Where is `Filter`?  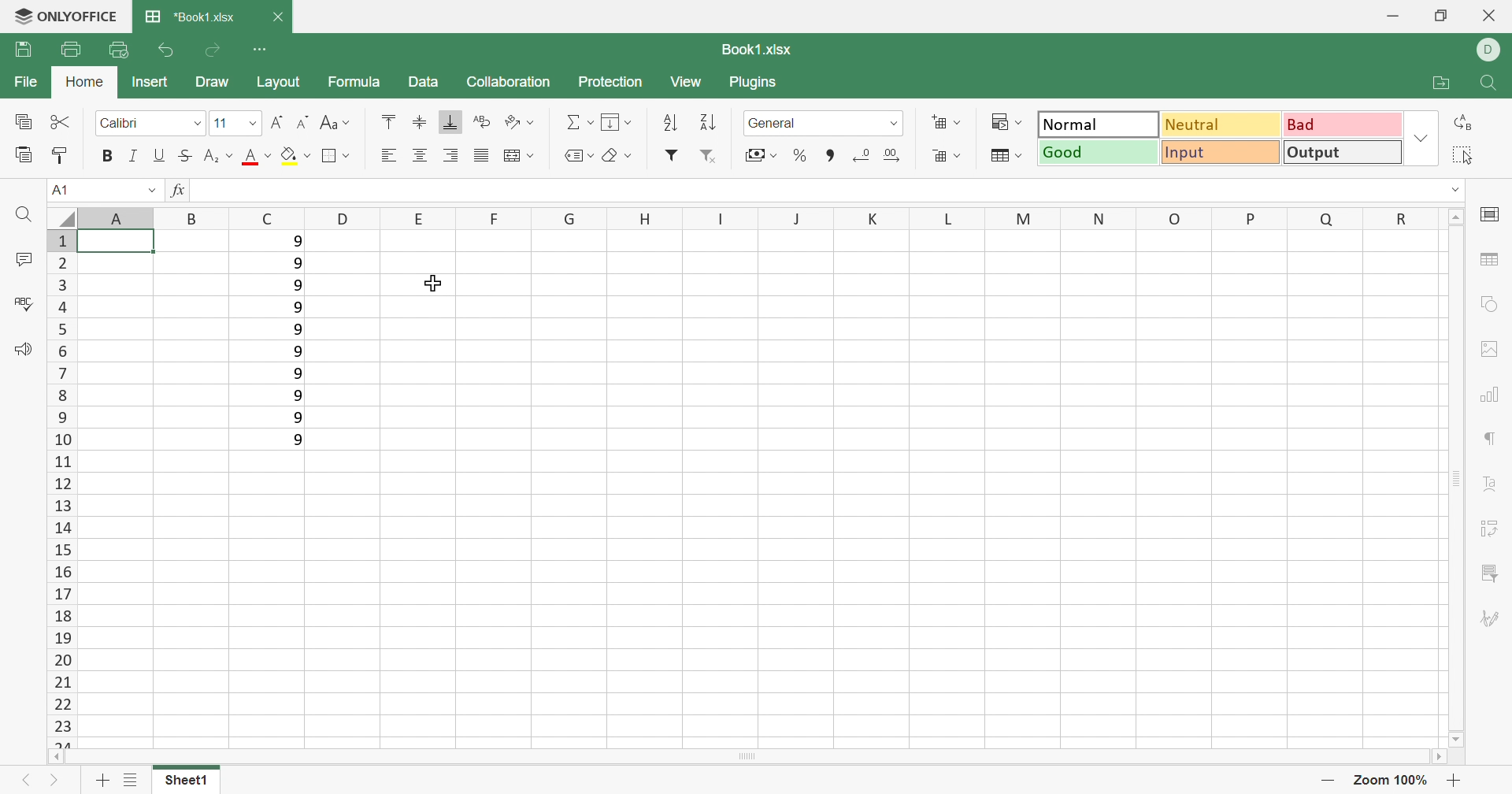 Filter is located at coordinates (670, 158).